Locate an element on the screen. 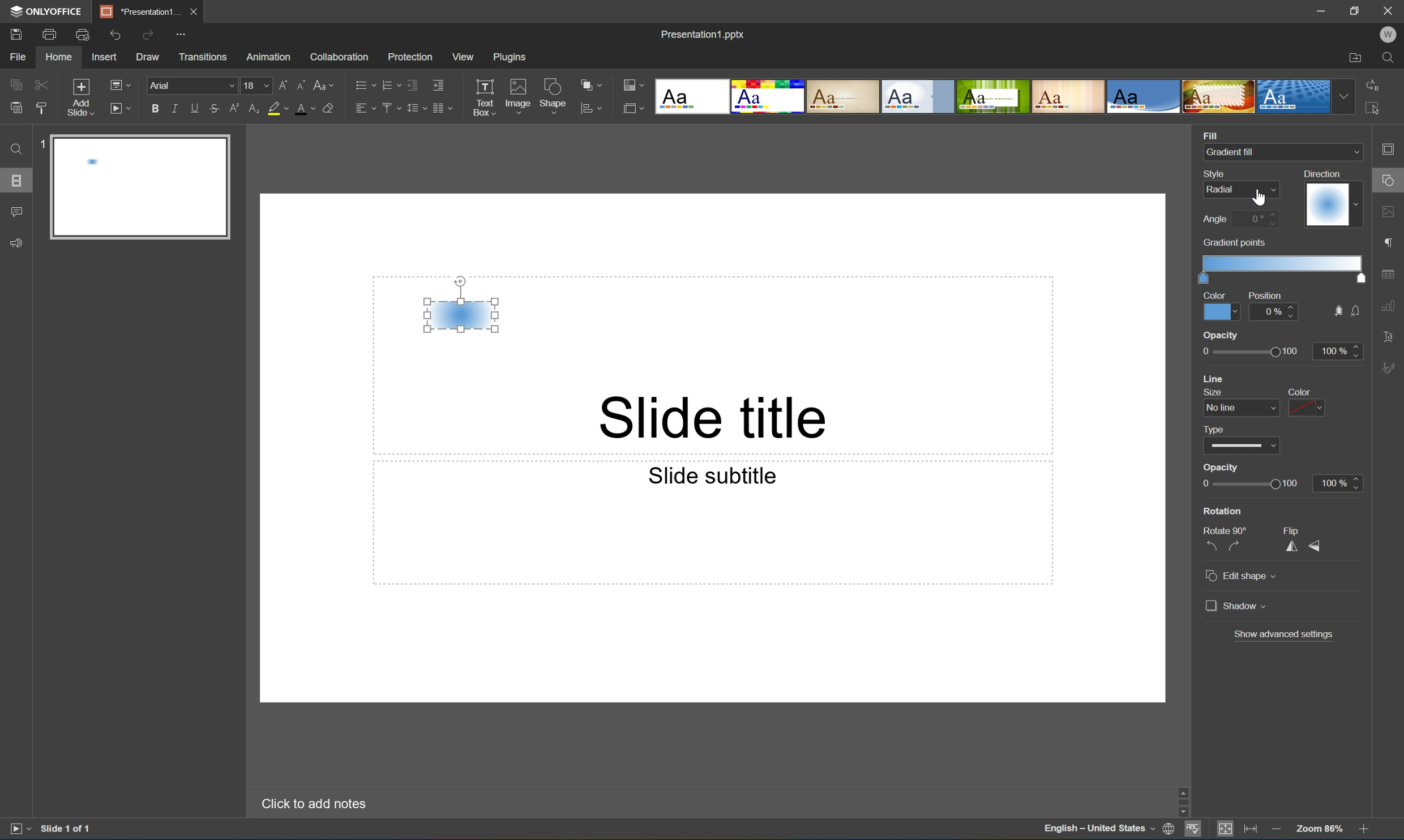  chart settings is located at coordinates (1388, 306).